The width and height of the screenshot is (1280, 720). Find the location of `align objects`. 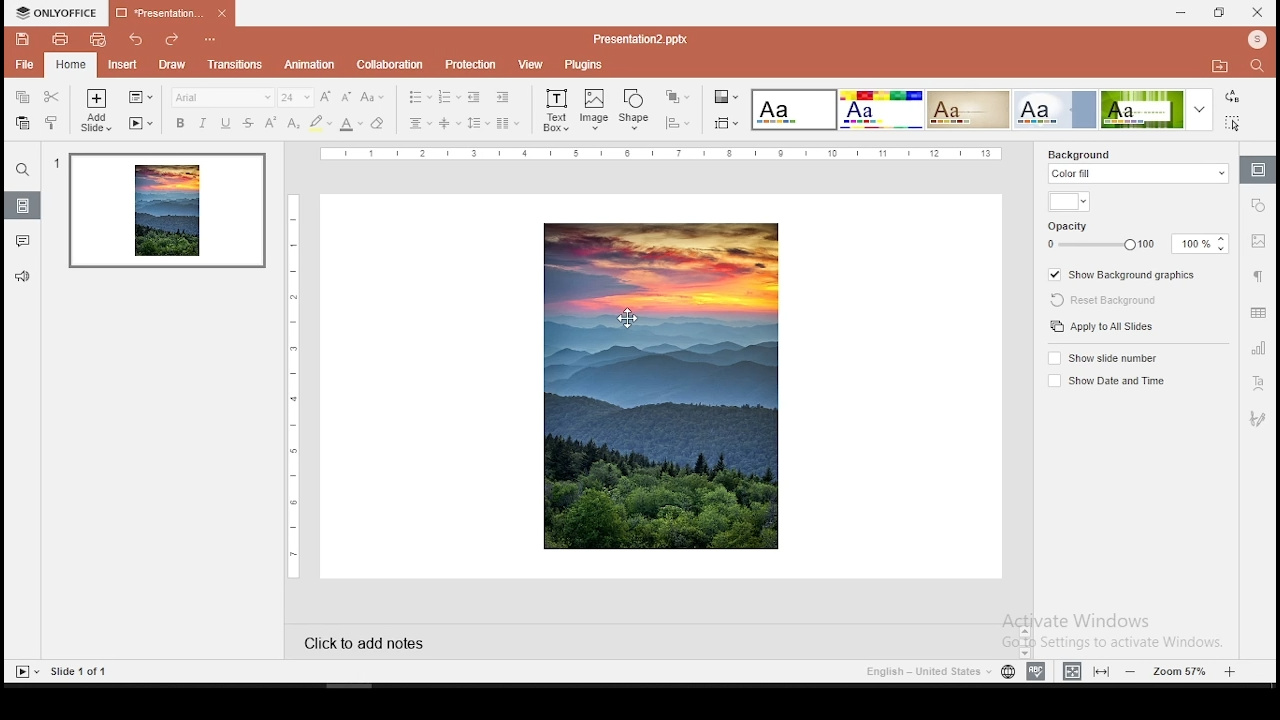

align objects is located at coordinates (726, 123).